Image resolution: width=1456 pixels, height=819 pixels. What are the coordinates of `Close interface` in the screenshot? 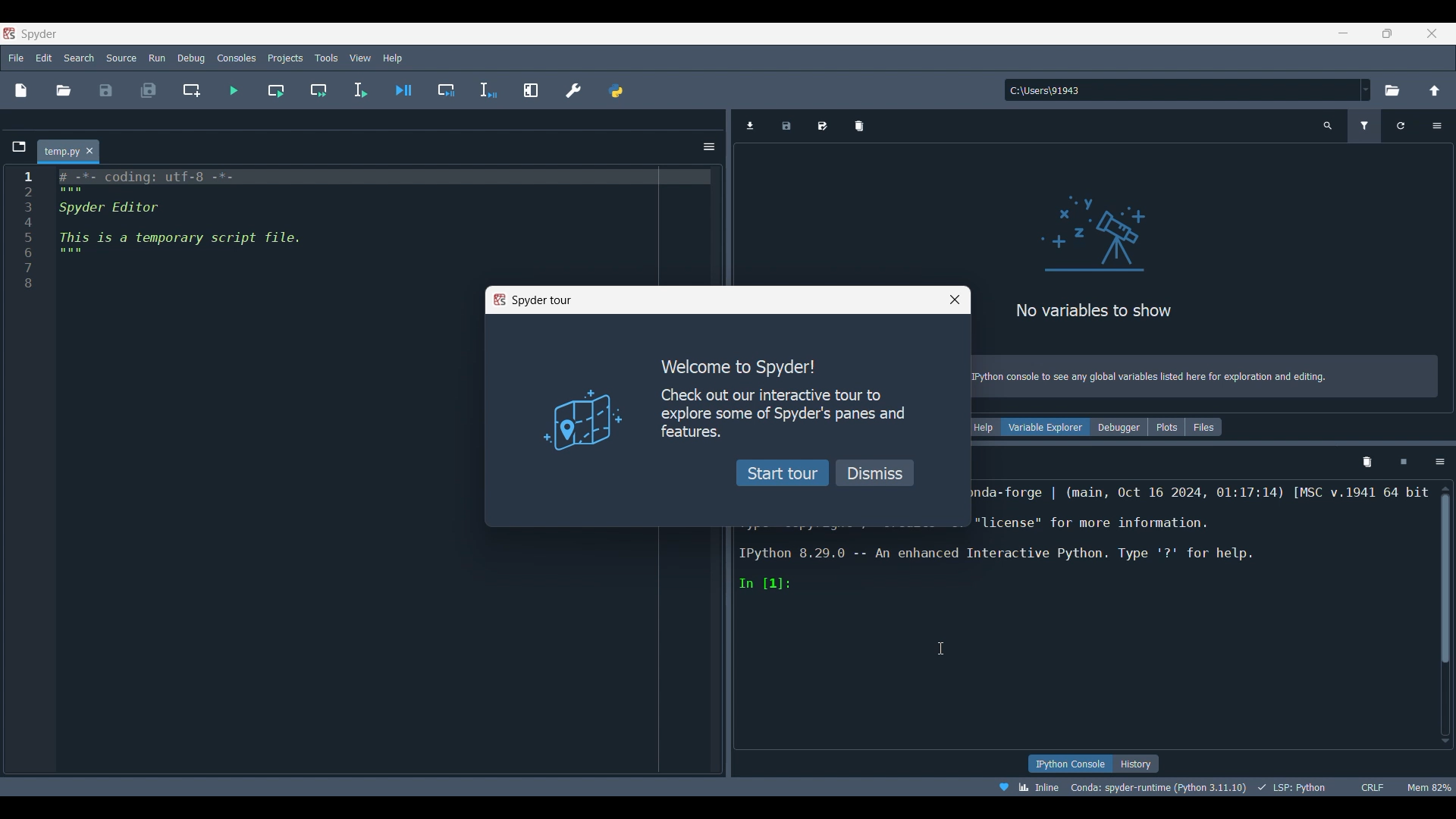 It's located at (1432, 33).